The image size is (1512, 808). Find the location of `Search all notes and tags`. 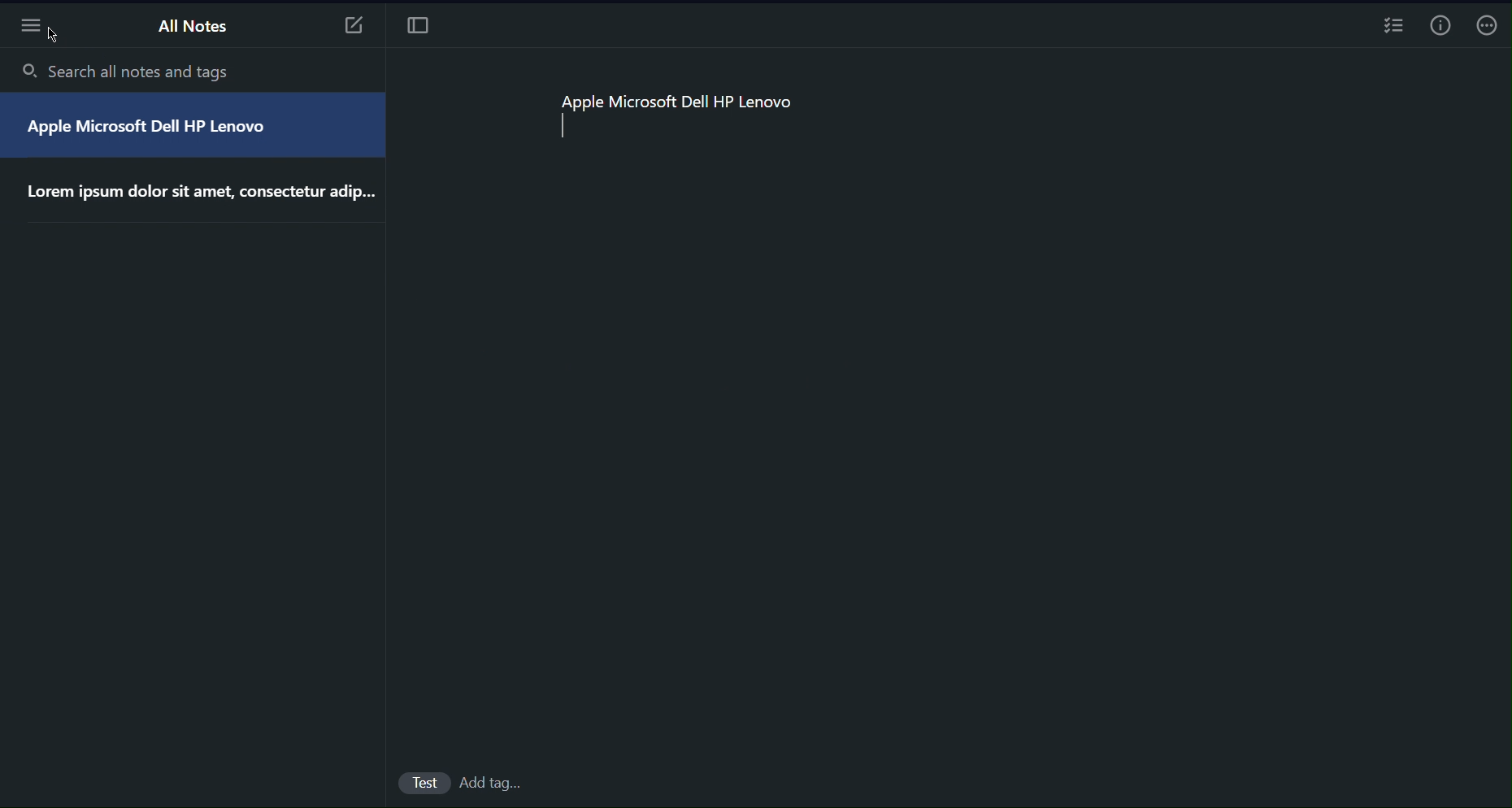

Search all notes and tags is located at coordinates (154, 71).